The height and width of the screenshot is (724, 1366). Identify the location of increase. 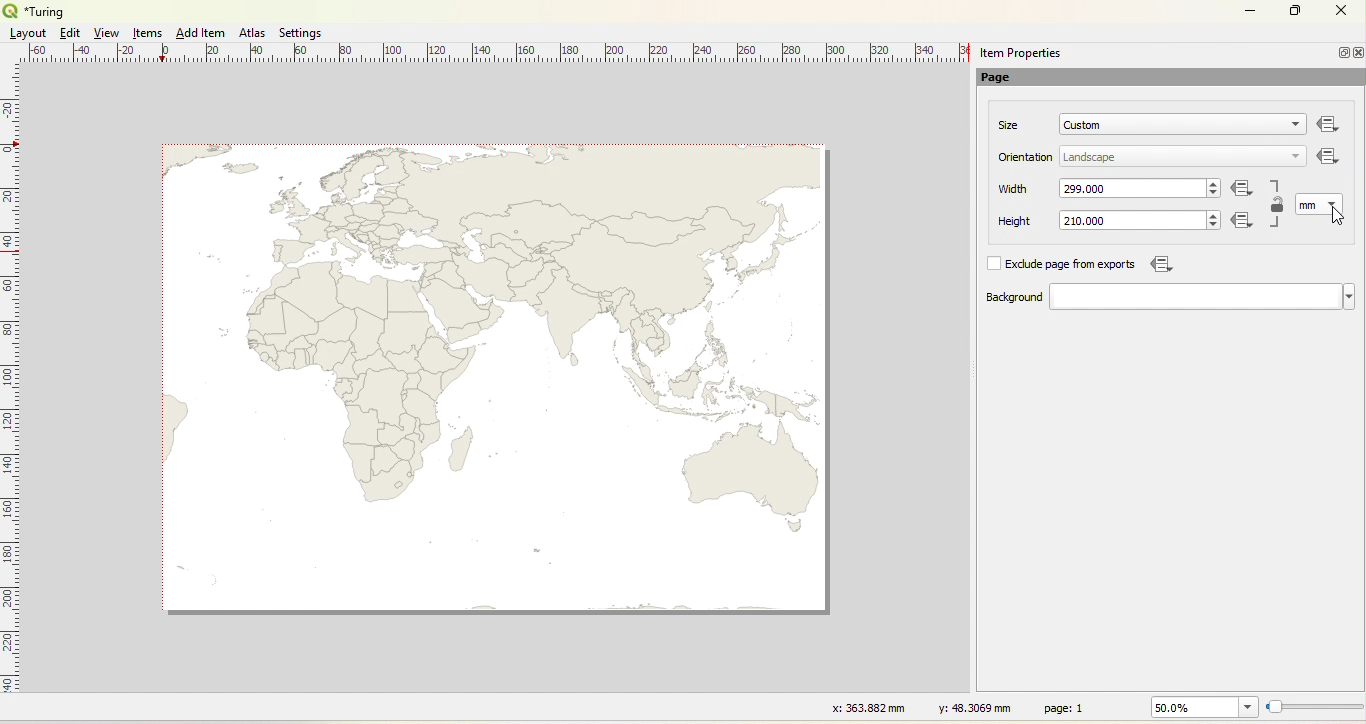
(1215, 182).